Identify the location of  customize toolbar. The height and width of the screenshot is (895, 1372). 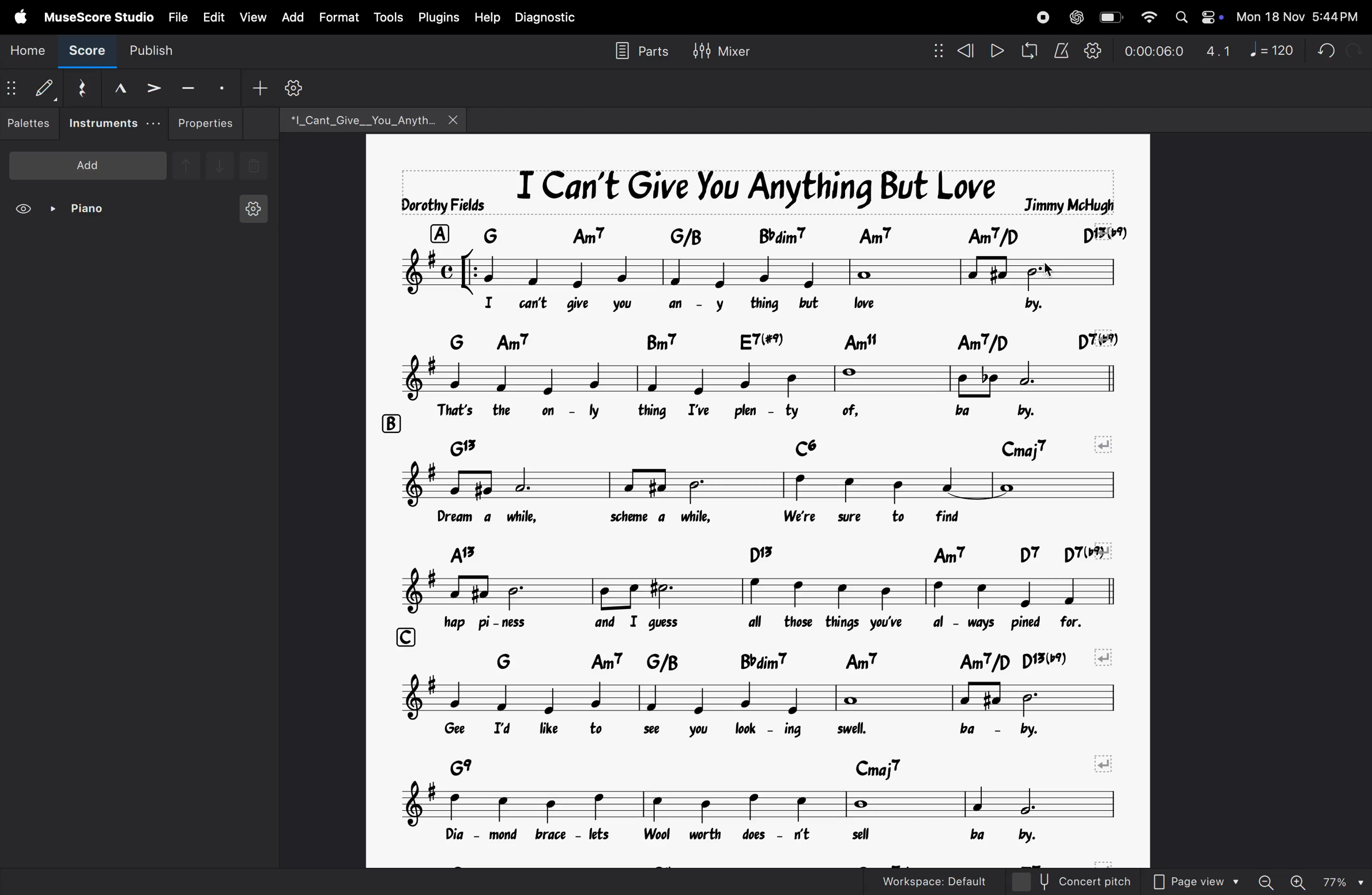
(300, 86).